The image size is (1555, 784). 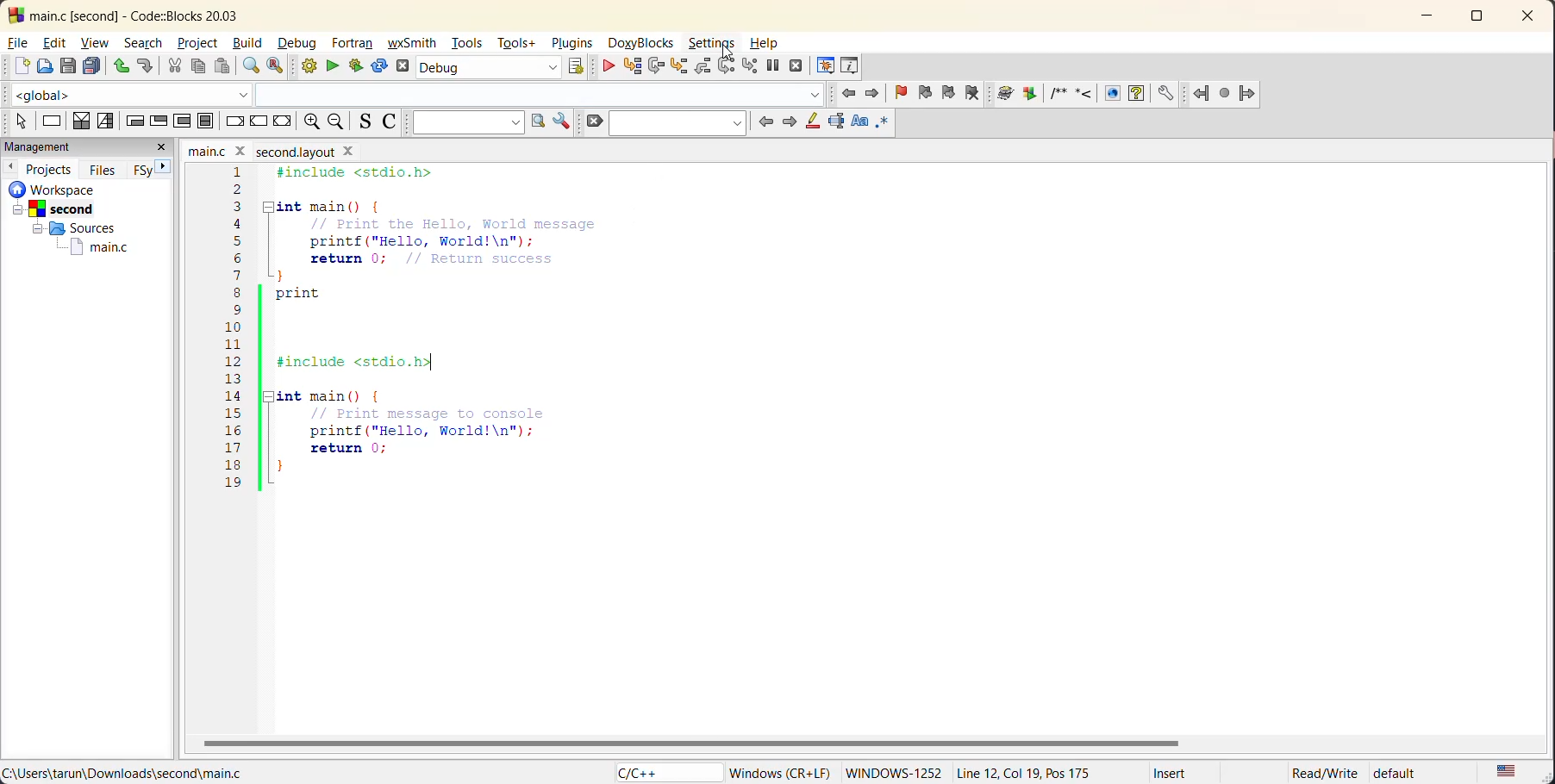 I want to click on Read/Write, so click(x=1319, y=774).